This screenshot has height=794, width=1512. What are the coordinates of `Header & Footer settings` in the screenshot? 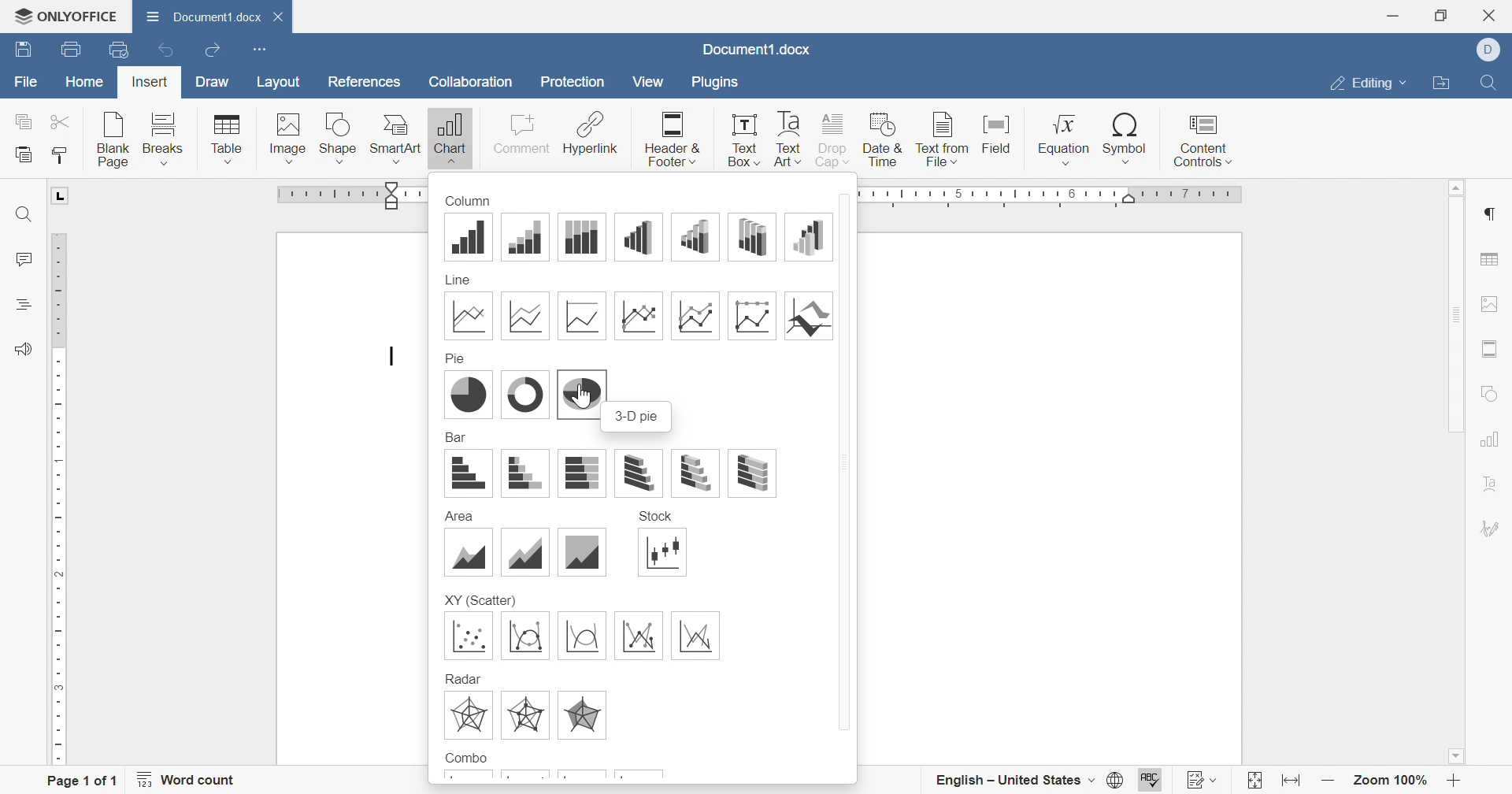 It's located at (1494, 348).